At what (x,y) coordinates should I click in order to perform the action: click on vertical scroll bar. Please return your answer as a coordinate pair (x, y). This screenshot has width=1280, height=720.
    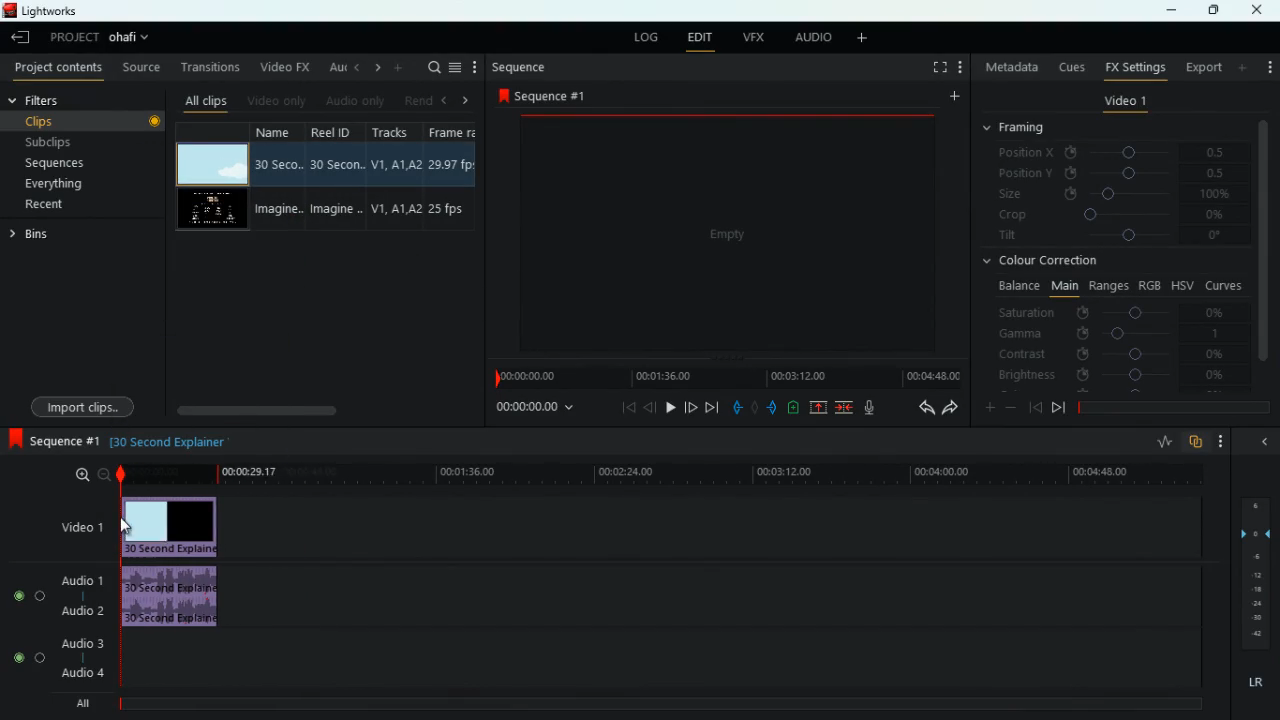
    Looking at the image, I should click on (1263, 248).